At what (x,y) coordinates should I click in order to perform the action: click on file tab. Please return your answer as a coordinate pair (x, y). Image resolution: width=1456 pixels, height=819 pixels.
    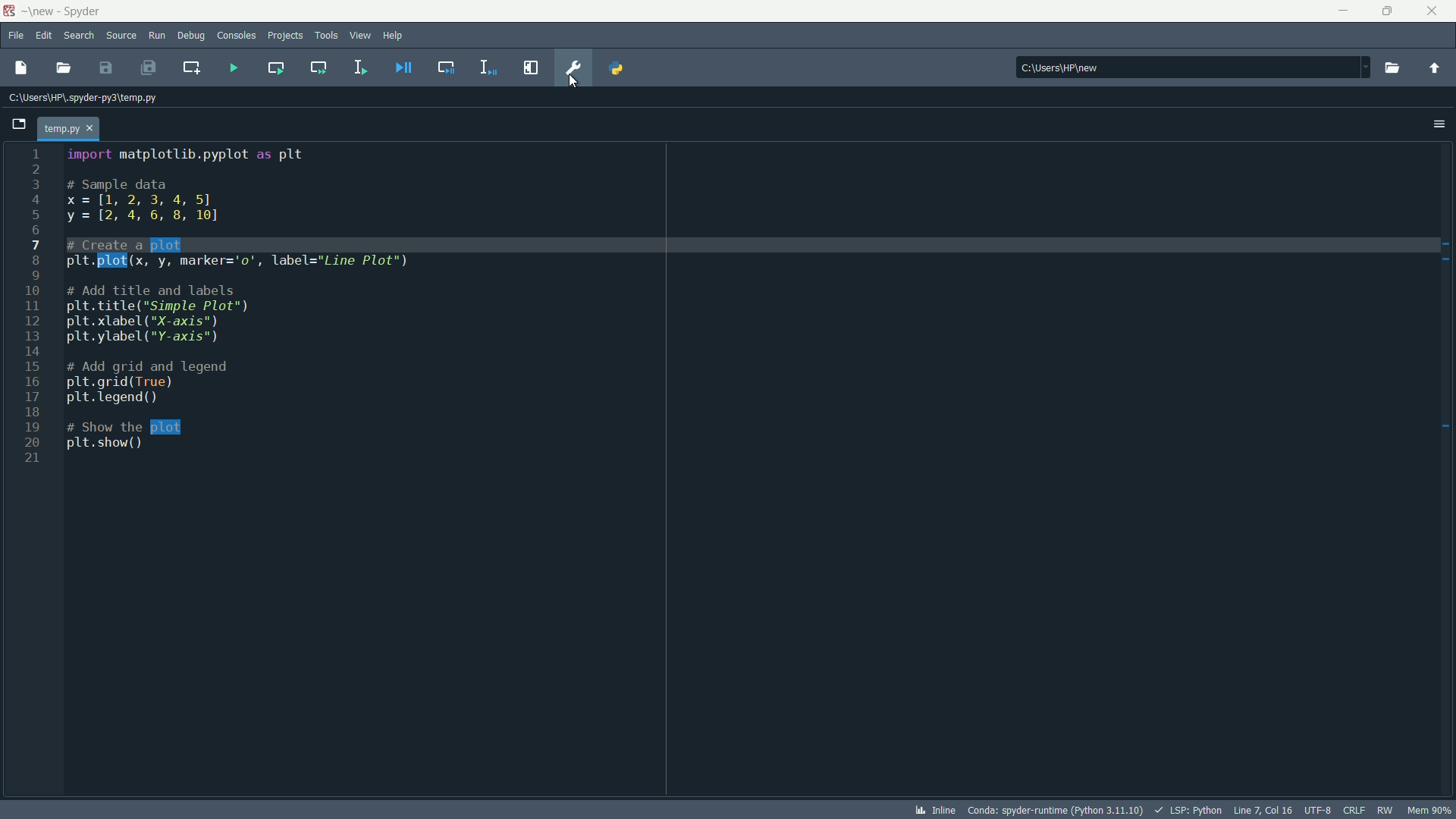
    Looking at the image, I should click on (70, 127).